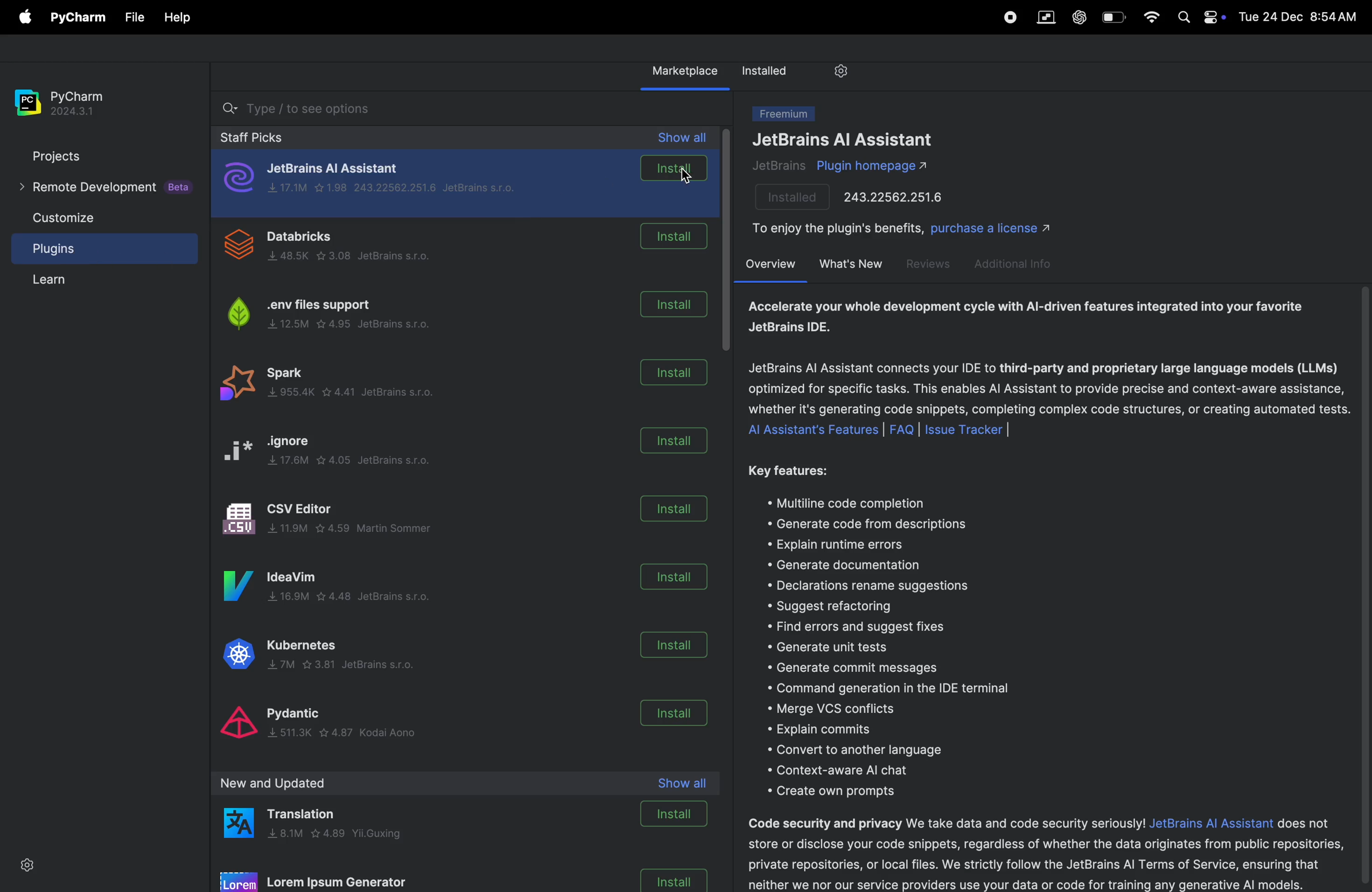 The width and height of the screenshot is (1372, 892). I want to click on install, so click(673, 645).